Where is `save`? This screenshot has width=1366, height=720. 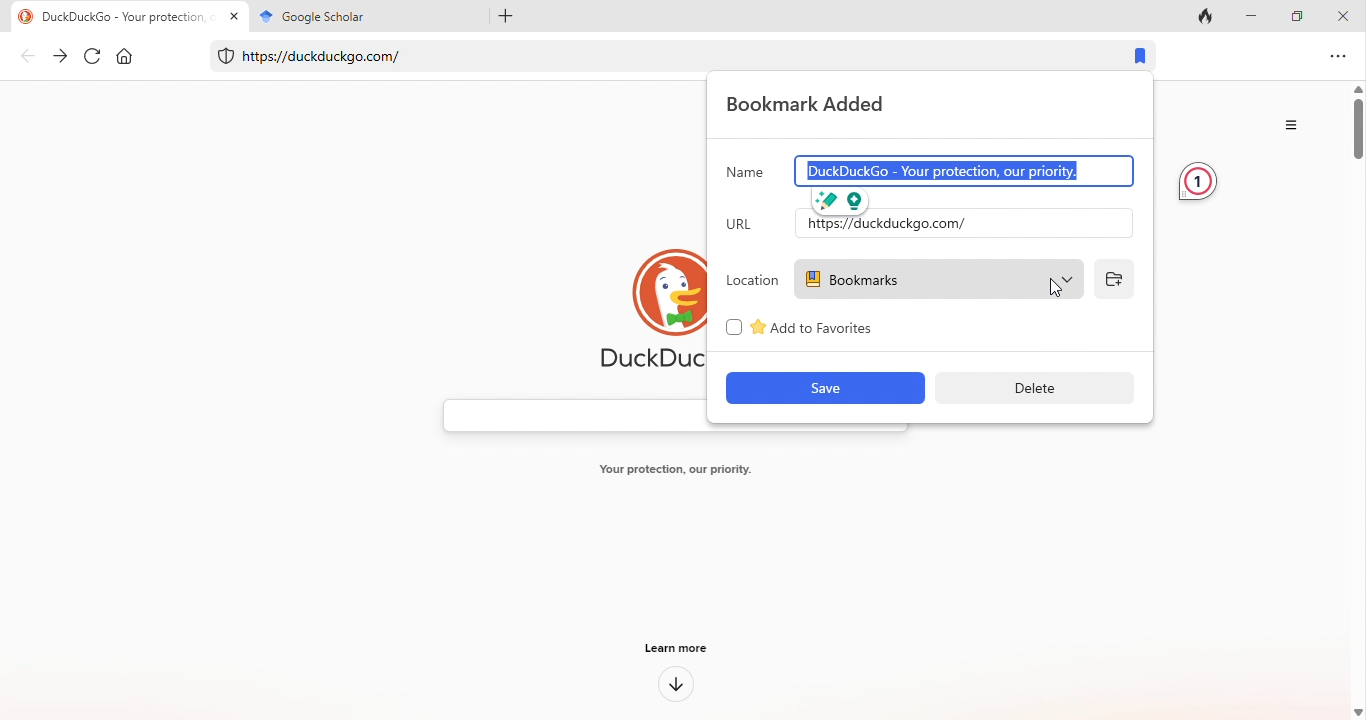
save is located at coordinates (826, 389).